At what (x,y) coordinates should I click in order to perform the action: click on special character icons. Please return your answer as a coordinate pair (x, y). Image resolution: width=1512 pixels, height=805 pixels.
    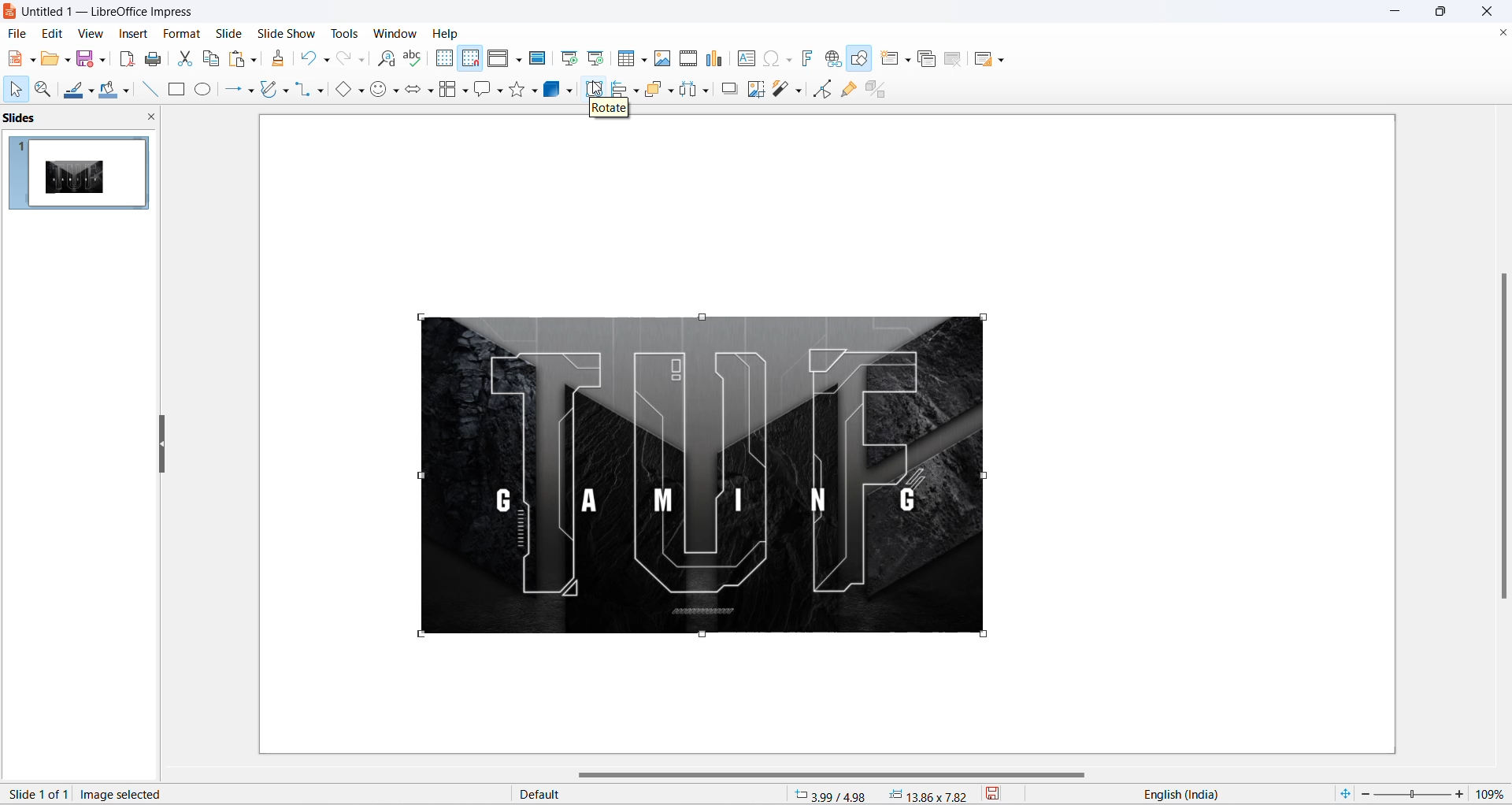
    Looking at the image, I should click on (787, 58).